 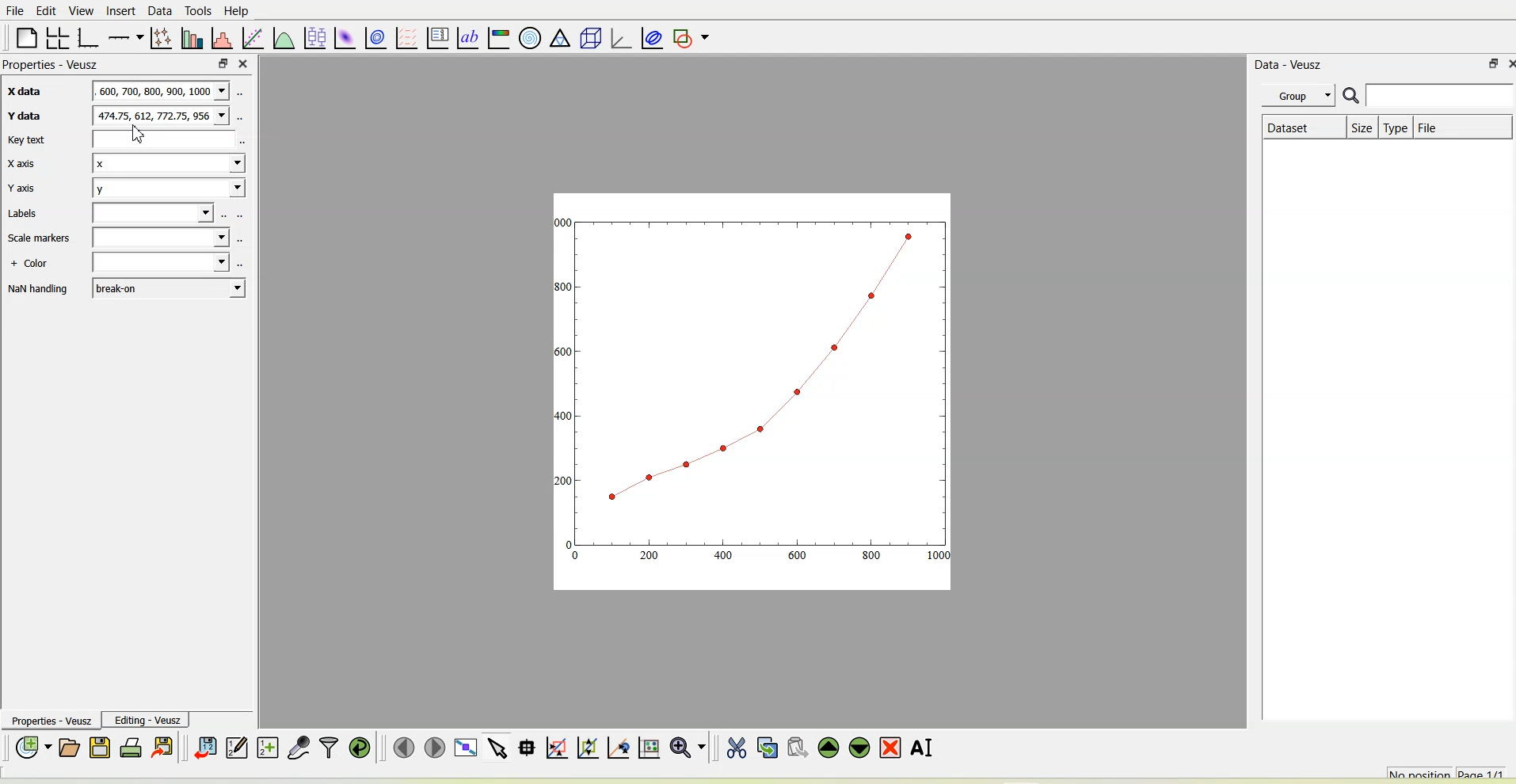 What do you see at coordinates (531, 37) in the screenshot?
I see `Polar graph` at bounding box center [531, 37].